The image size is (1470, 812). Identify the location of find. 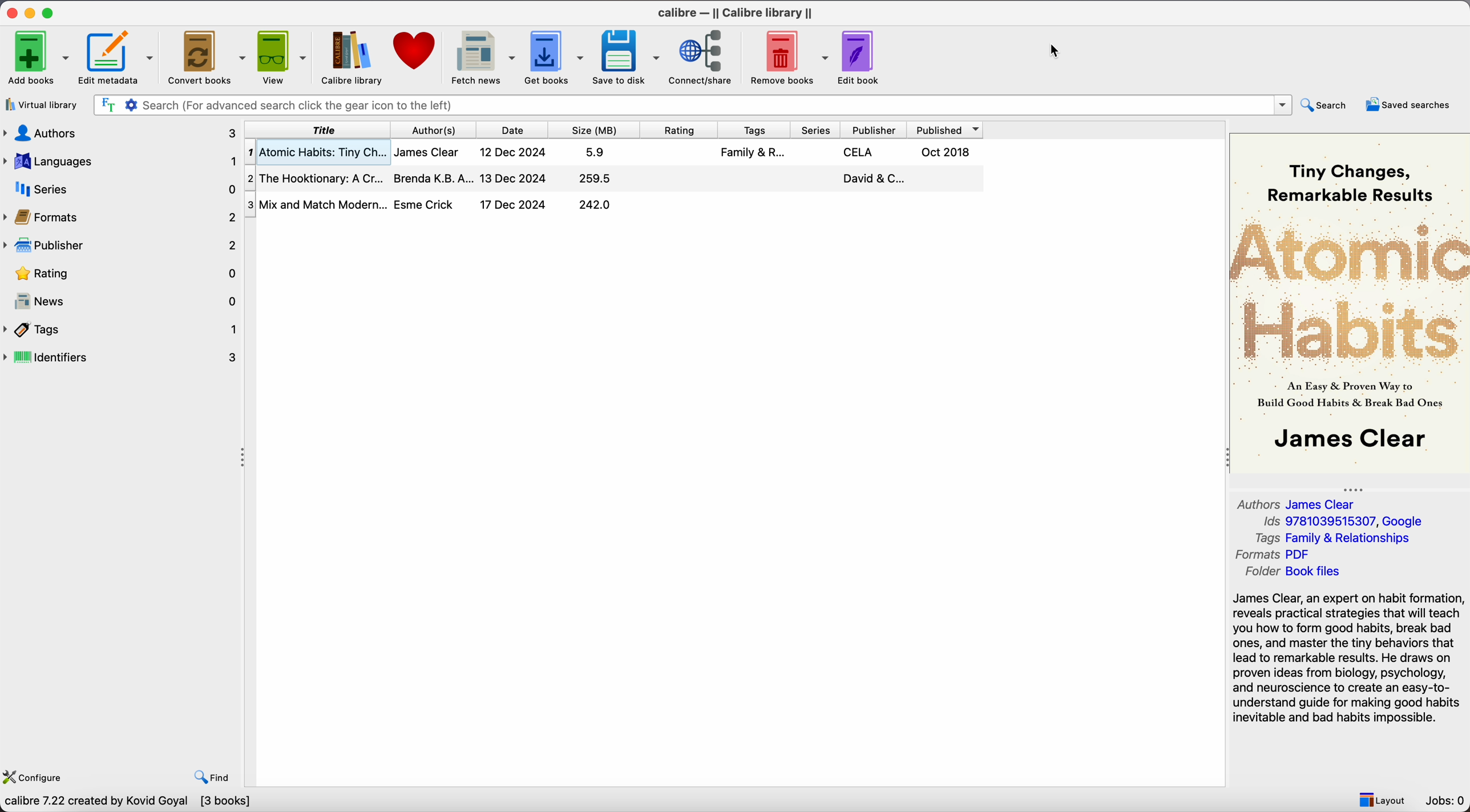
(212, 778).